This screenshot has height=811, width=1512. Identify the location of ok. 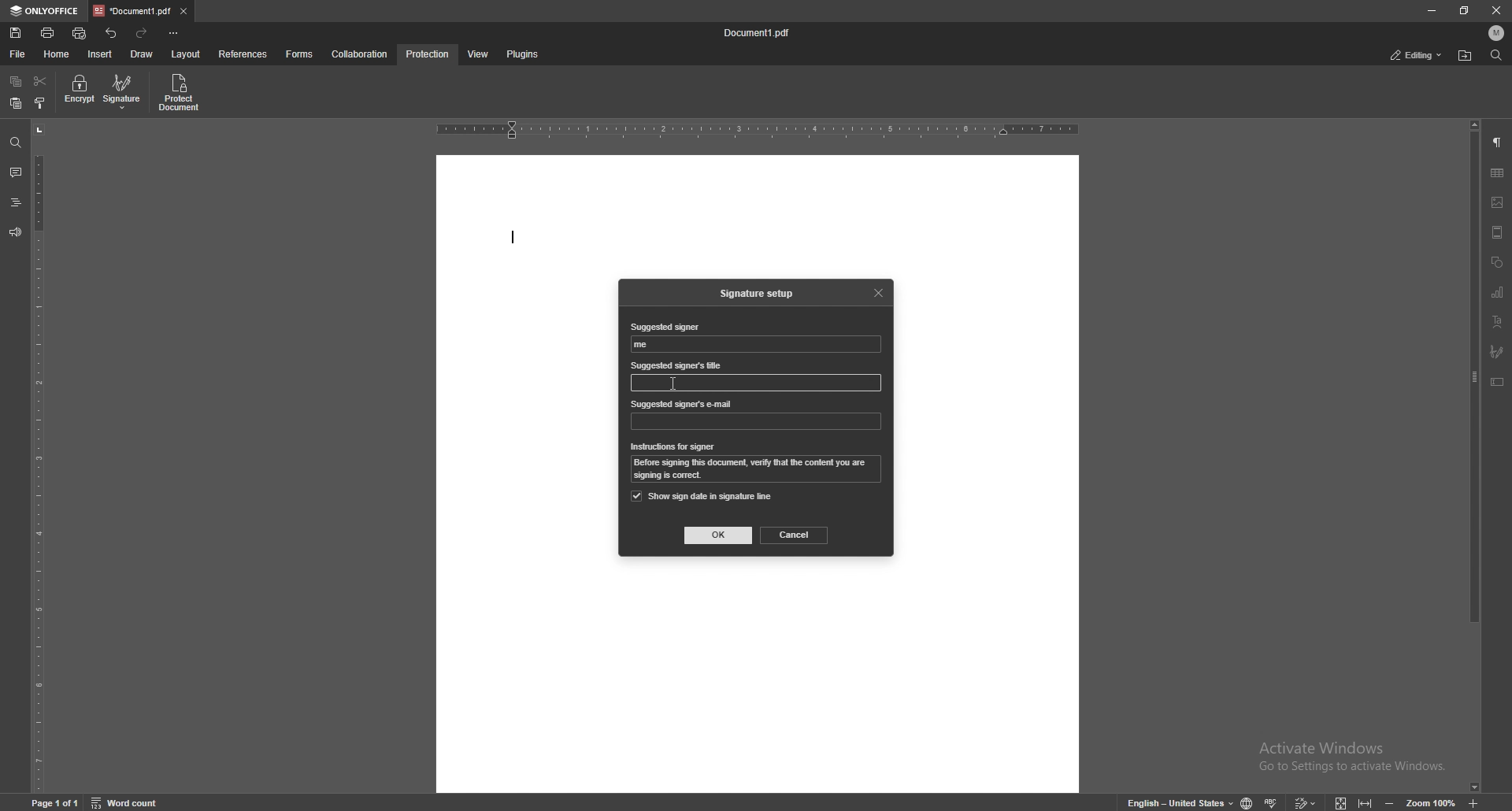
(719, 535).